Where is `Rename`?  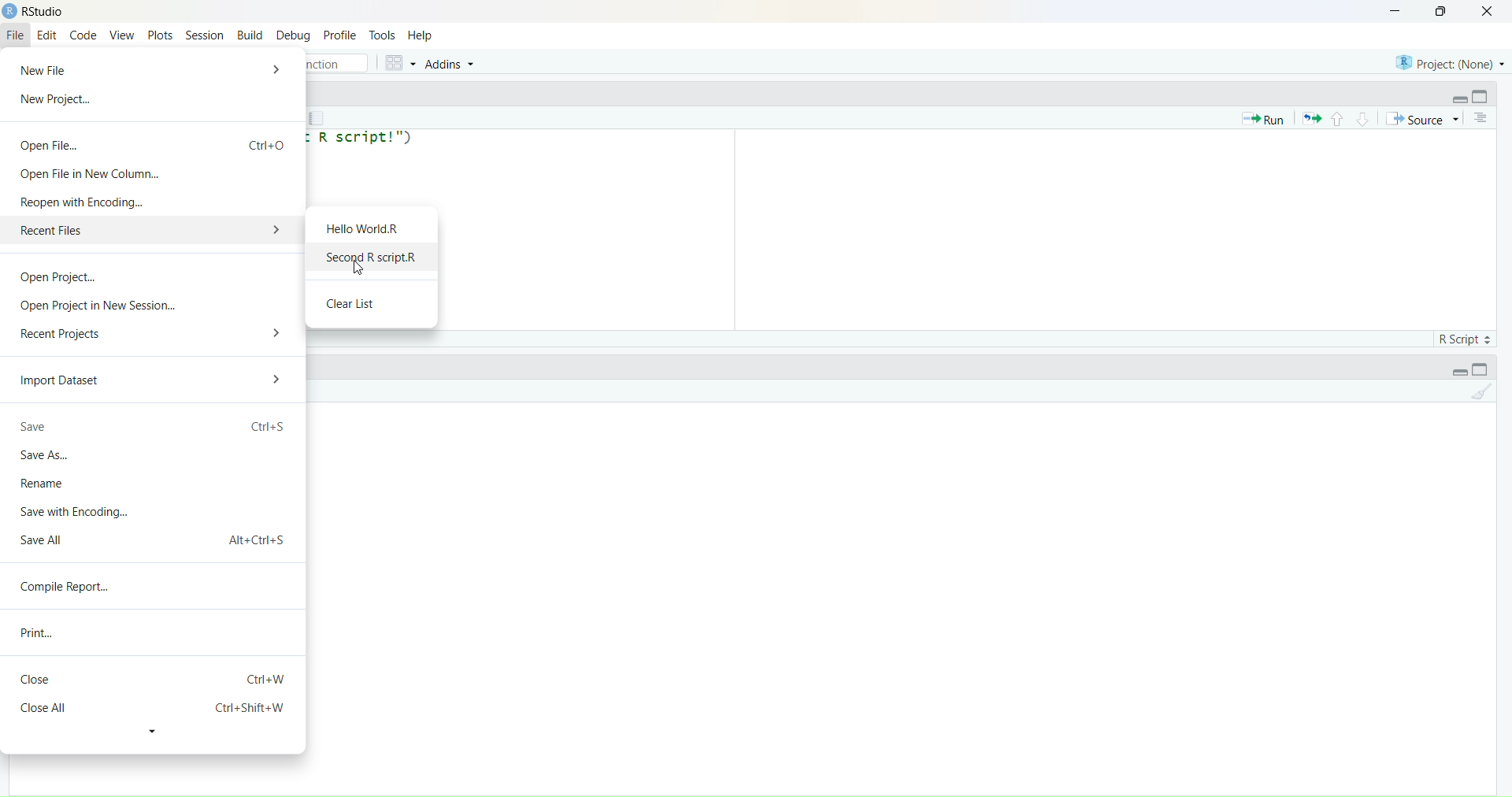
Rename is located at coordinates (49, 483).